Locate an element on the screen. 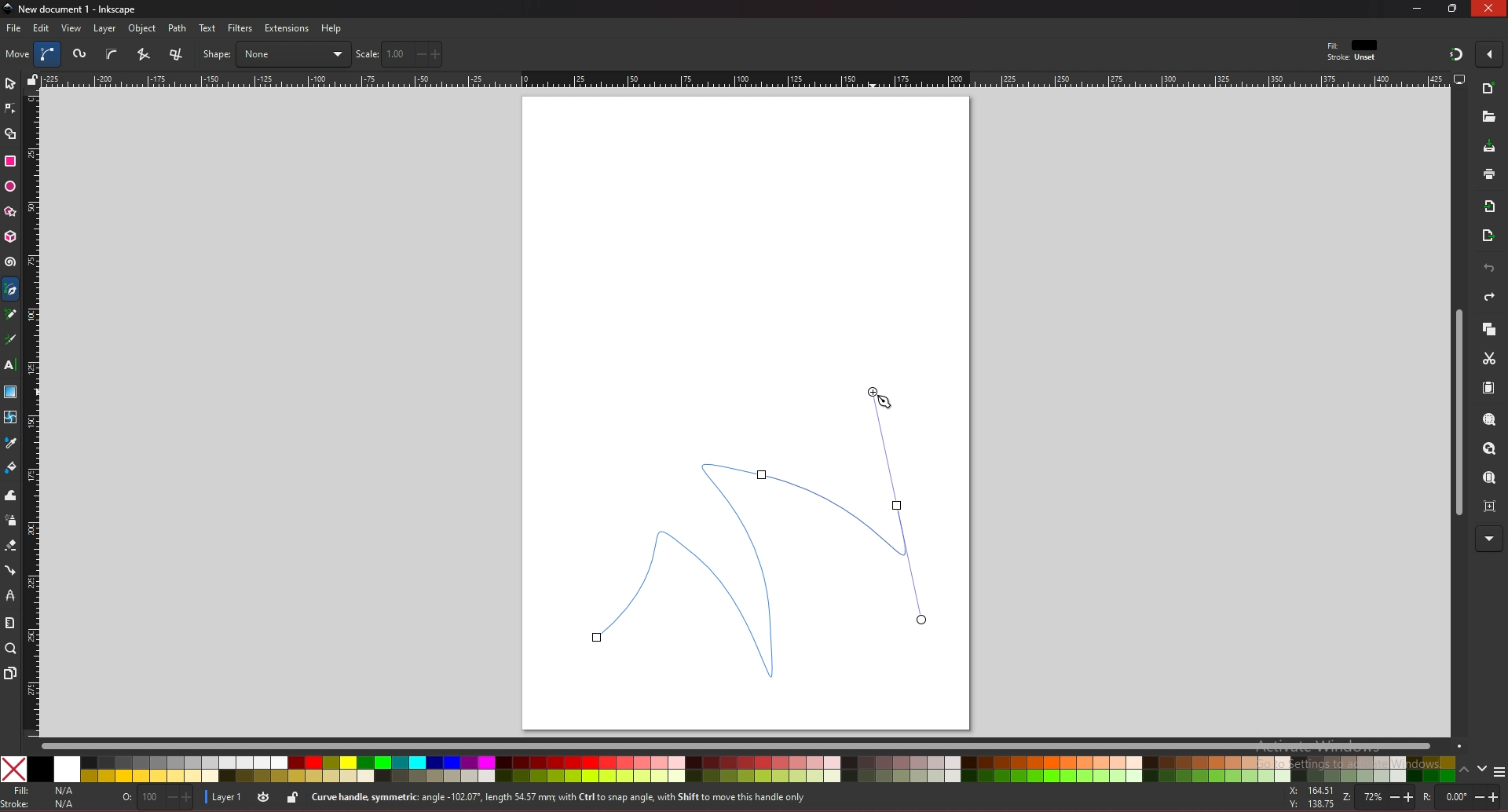 Image resolution: width=1508 pixels, height=812 pixels. scroll bar is located at coordinates (751, 744).